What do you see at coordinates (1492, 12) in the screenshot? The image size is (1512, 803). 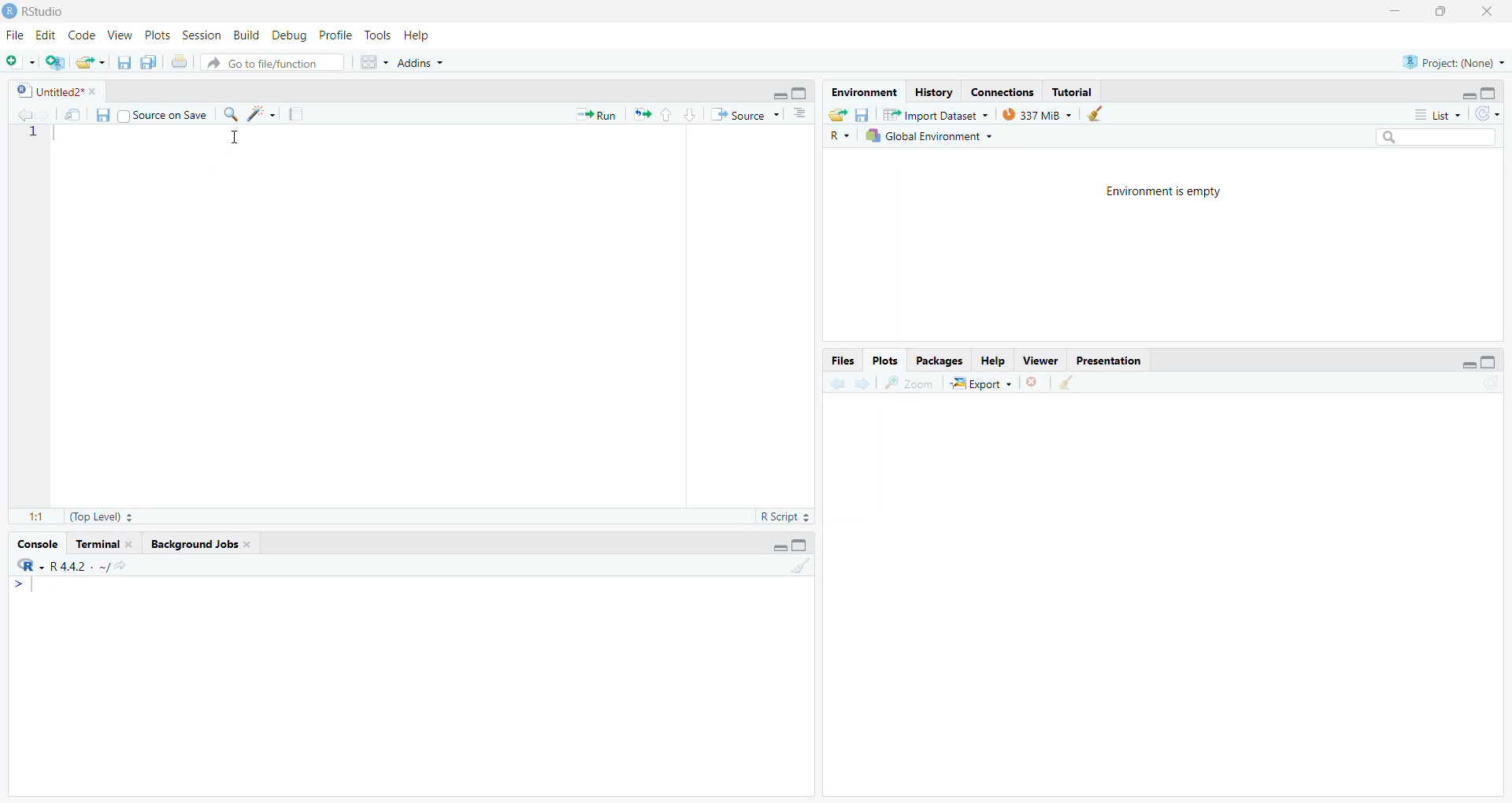 I see `close` at bounding box center [1492, 12].